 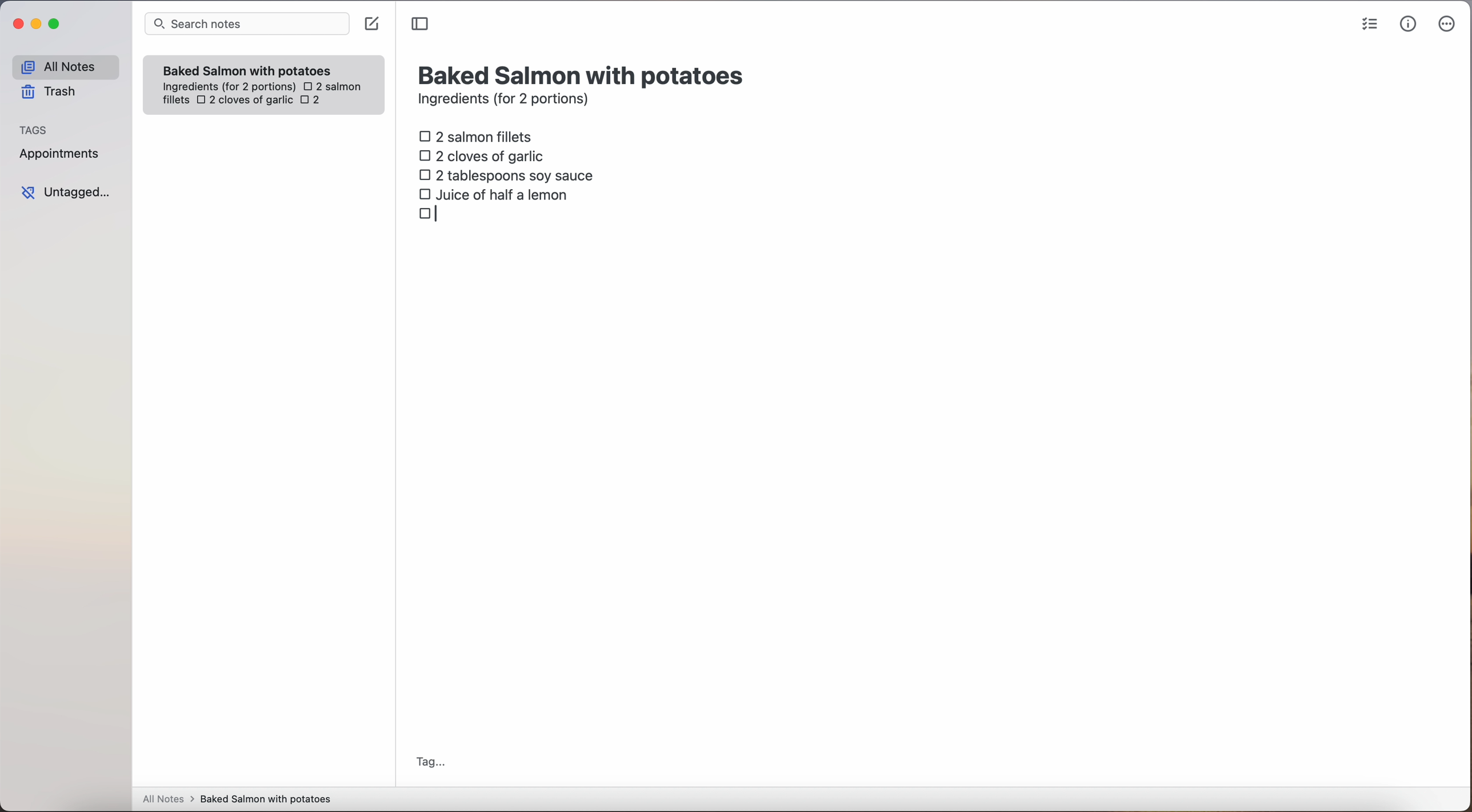 What do you see at coordinates (421, 25) in the screenshot?
I see `toggle sidebar` at bounding box center [421, 25].